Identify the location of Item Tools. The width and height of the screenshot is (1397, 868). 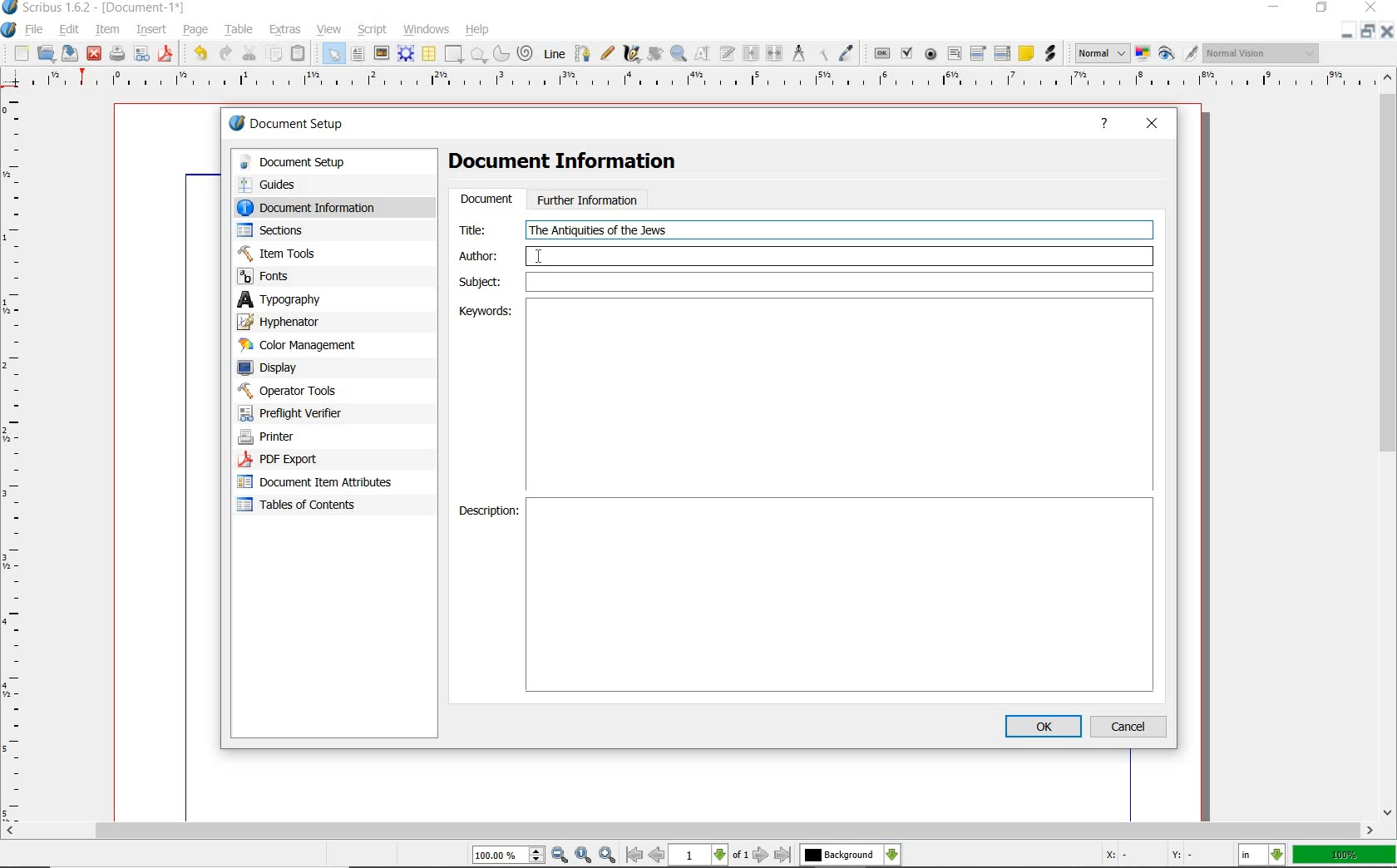
(315, 253).